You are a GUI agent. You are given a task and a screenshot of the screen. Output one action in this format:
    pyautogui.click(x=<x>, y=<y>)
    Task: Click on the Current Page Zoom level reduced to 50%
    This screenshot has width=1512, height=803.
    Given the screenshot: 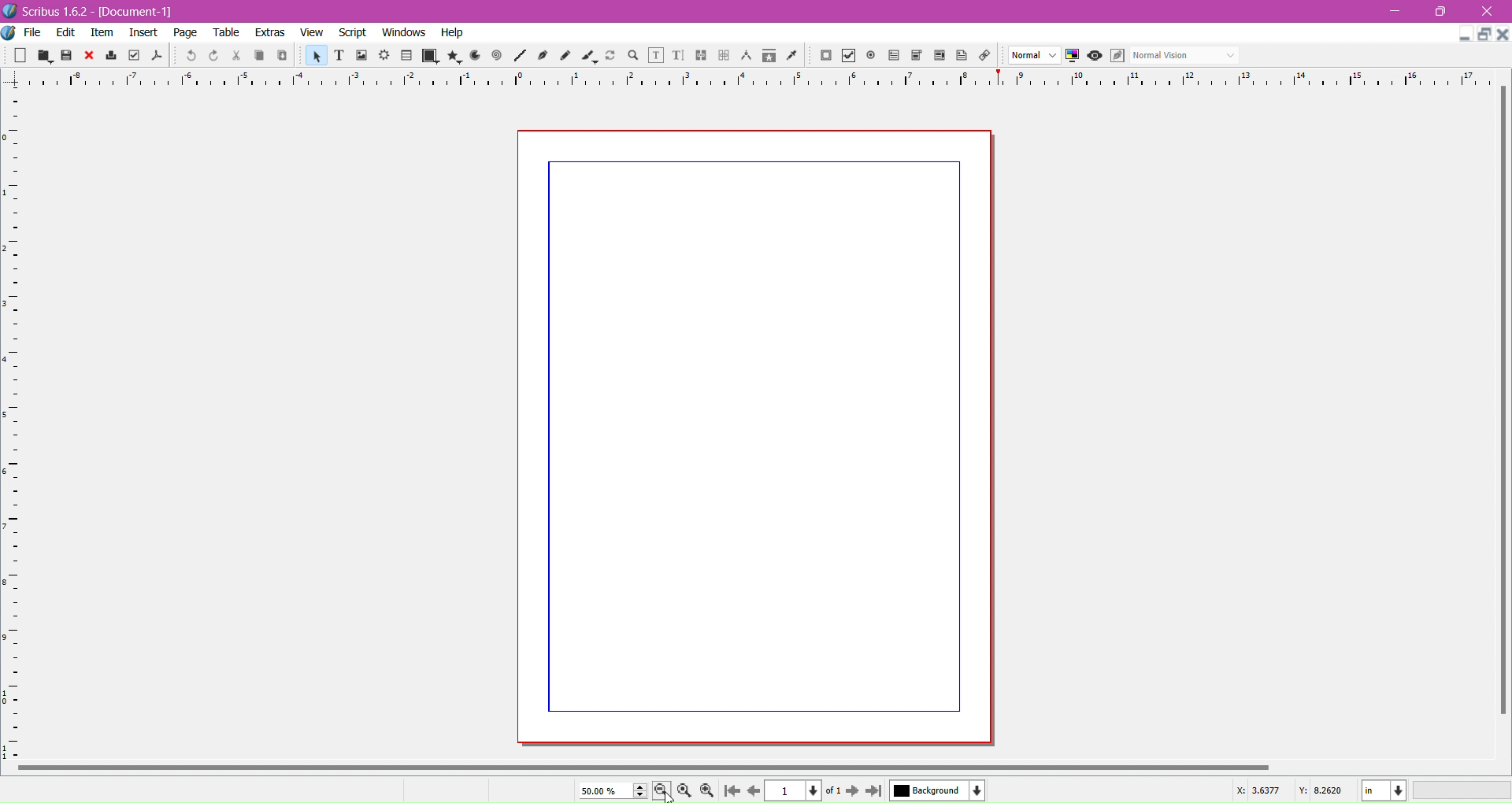 What is the action you would take?
    pyautogui.click(x=755, y=438)
    